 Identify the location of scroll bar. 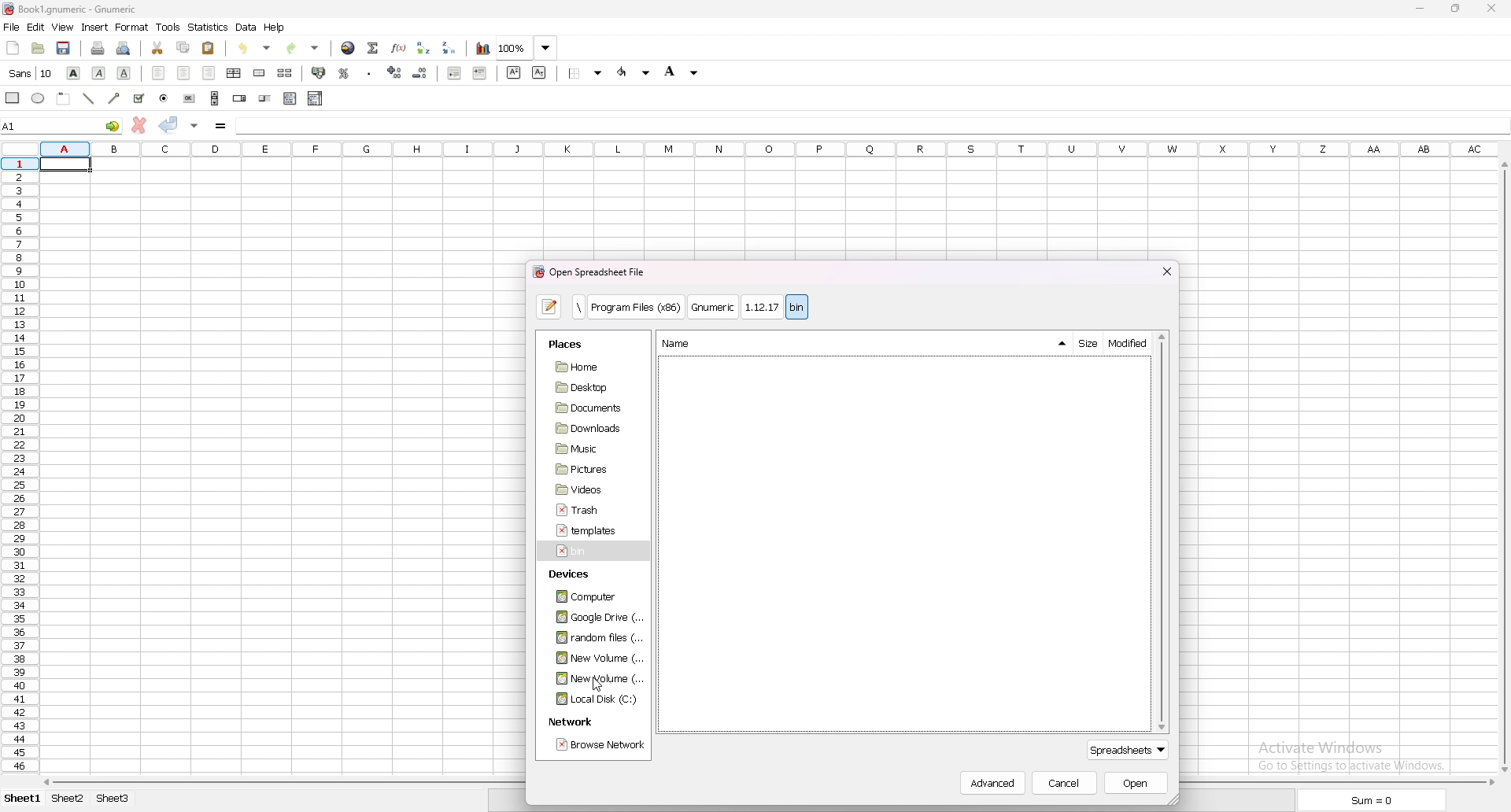
(1502, 467).